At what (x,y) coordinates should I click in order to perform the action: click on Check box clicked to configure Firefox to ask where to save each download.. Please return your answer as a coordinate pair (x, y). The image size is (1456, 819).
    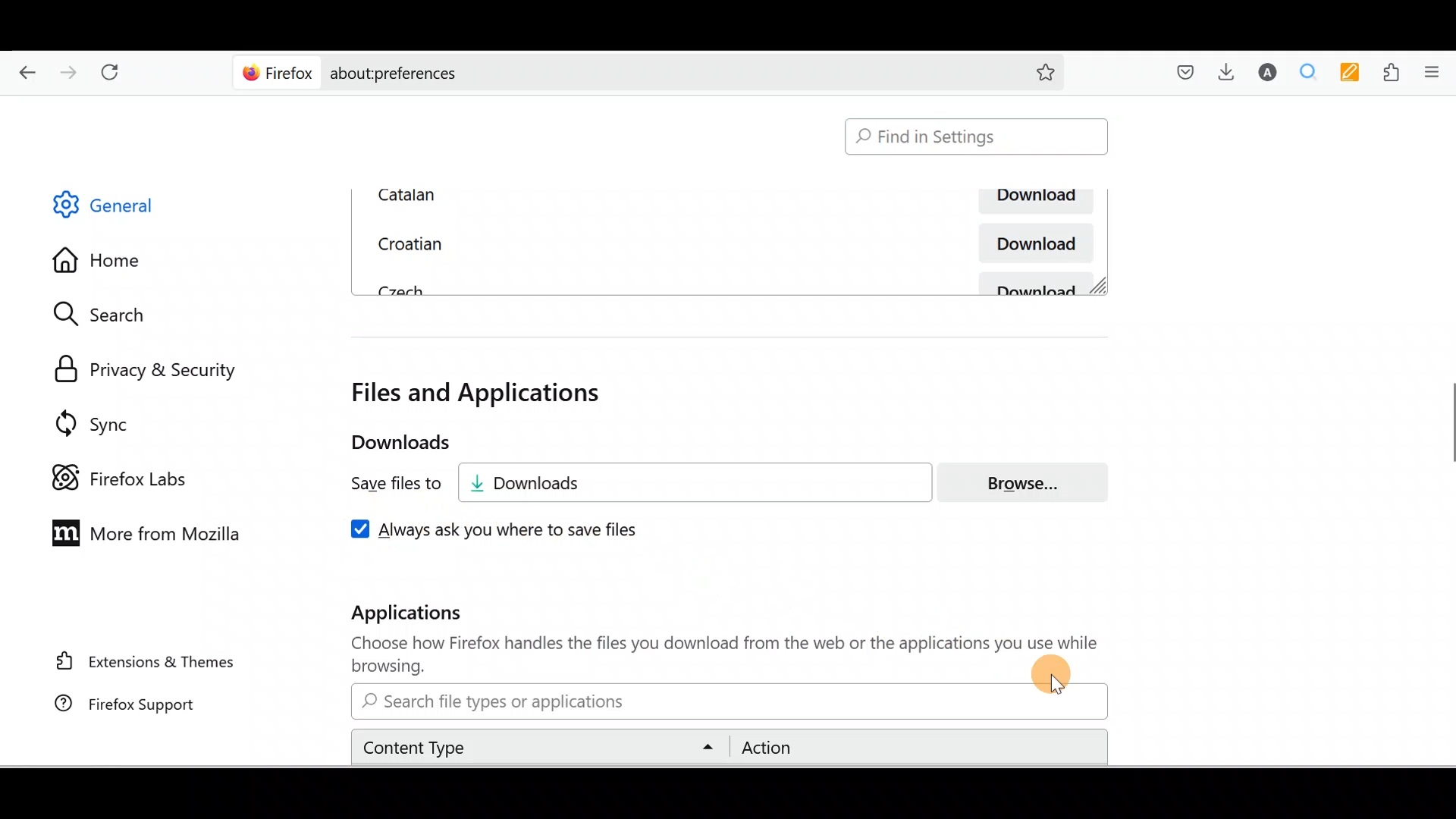
    Looking at the image, I should click on (510, 529).